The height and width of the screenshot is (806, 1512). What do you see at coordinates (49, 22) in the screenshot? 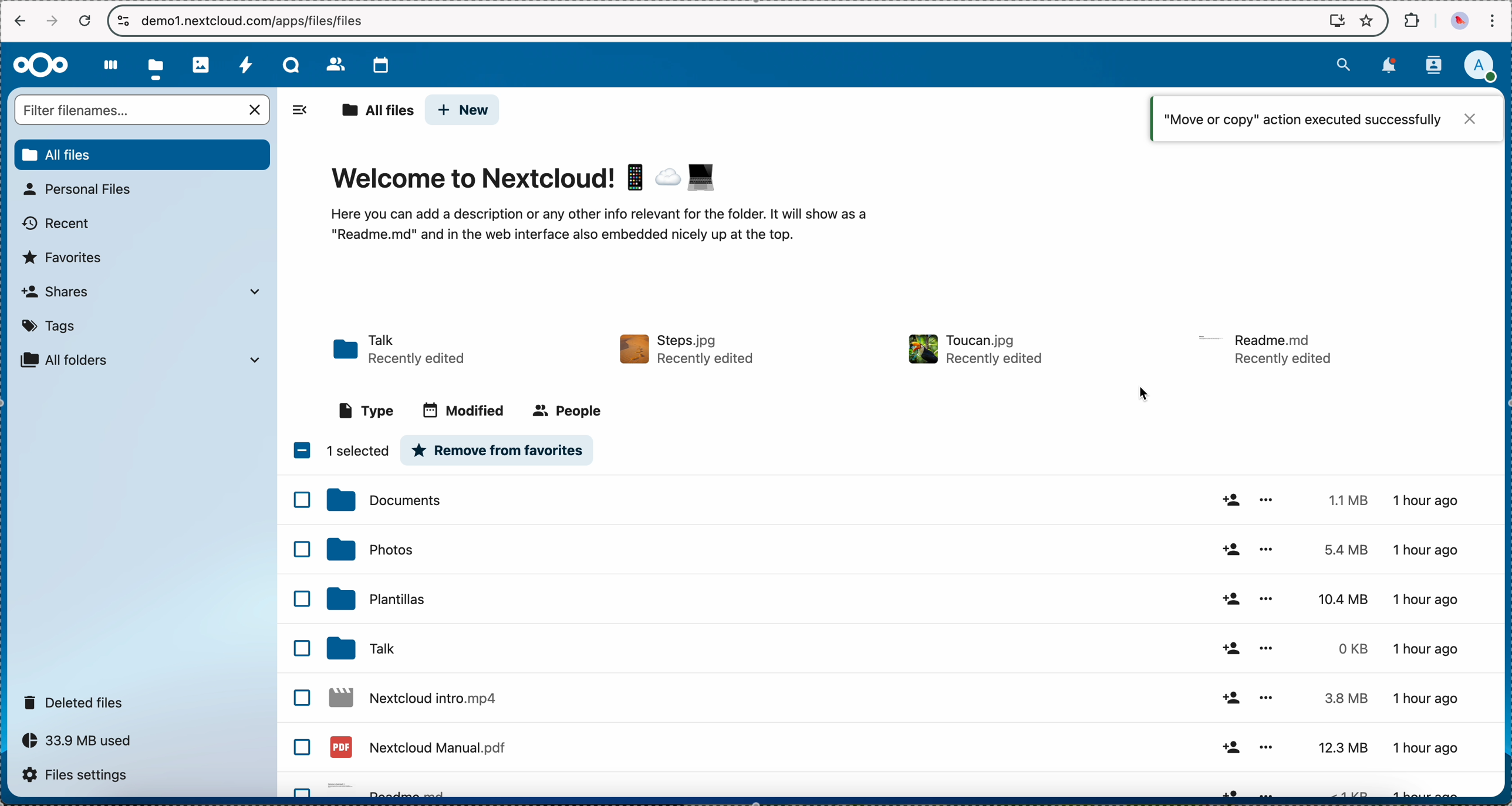
I see `navigate foward` at bounding box center [49, 22].